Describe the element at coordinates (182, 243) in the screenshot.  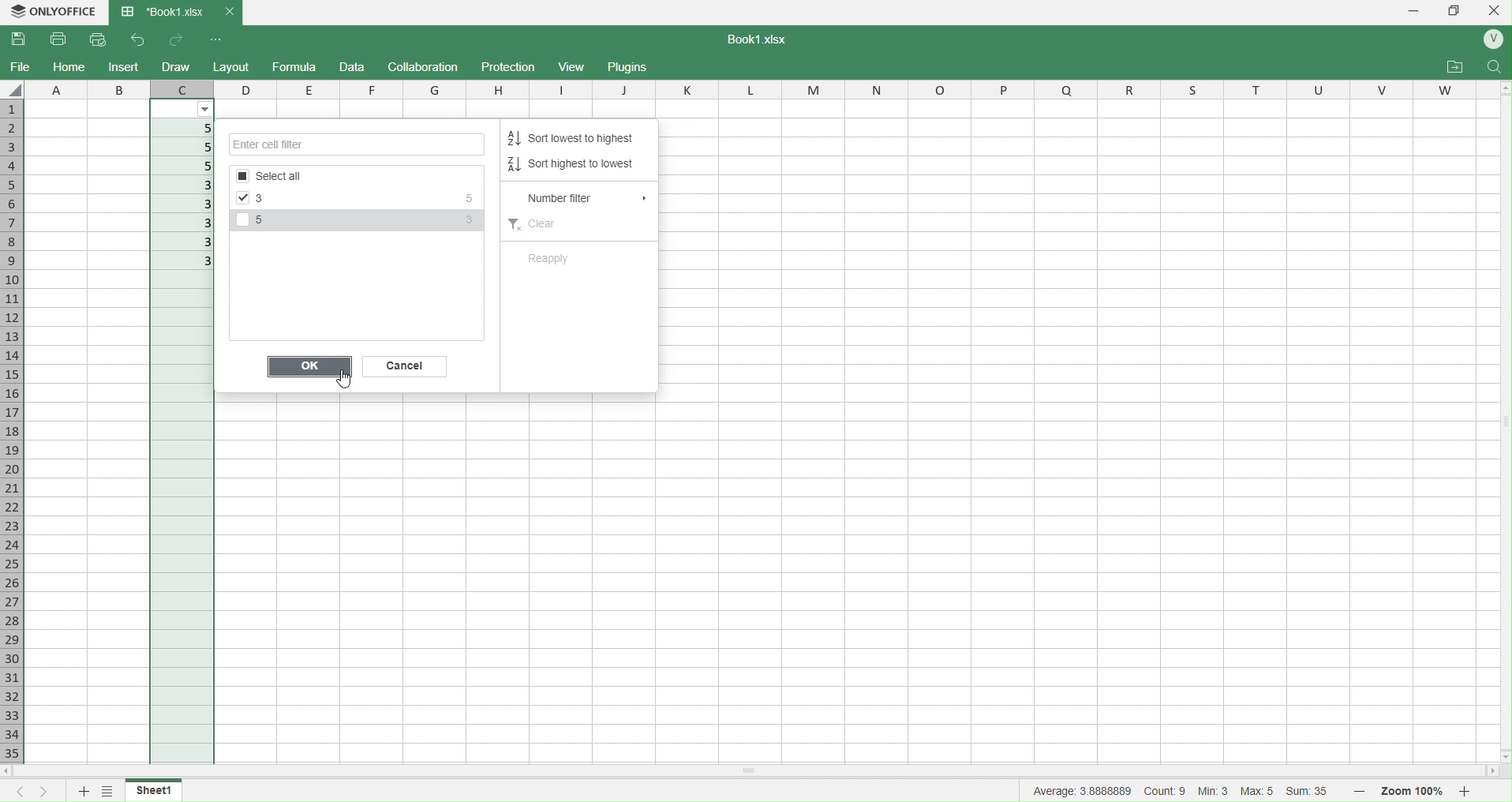
I see `3` at that location.